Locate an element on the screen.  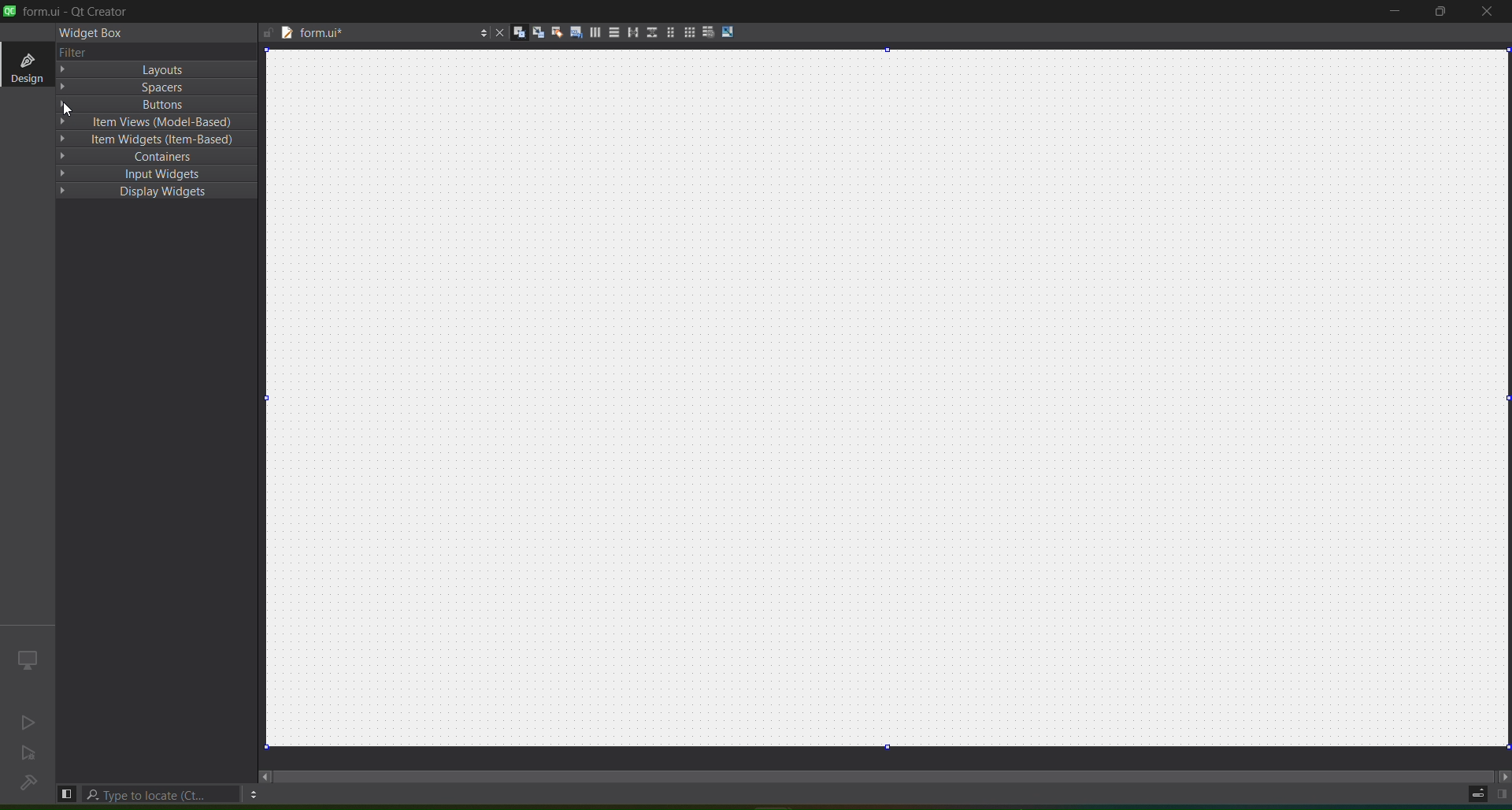
hide left sidebar is located at coordinates (67, 793).